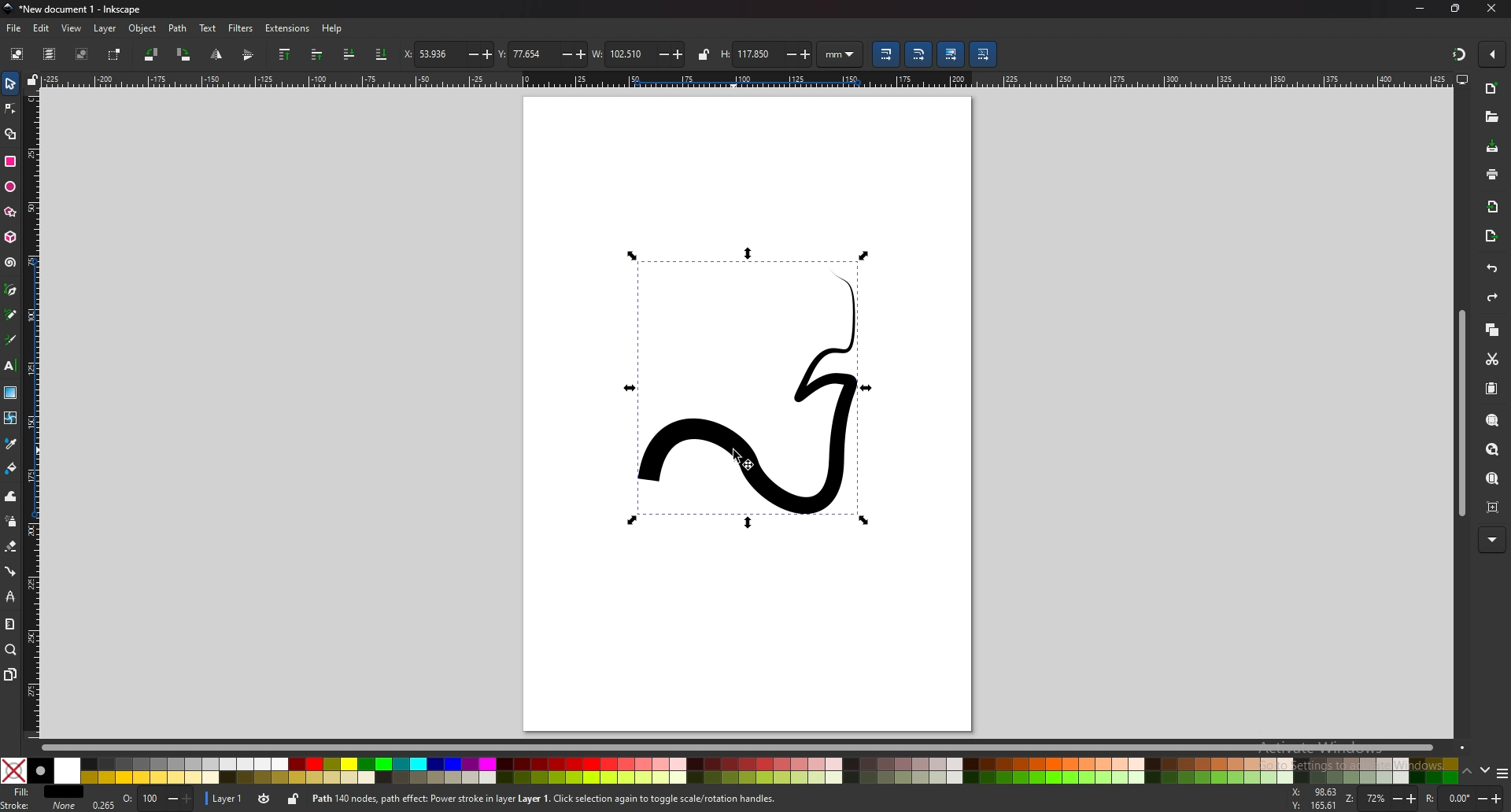 The image size is (1511, 812). What do you see at coordinates (1492, 450) in the screenshot?
I see `zoom drawing` at bounding box center [1492, 450].